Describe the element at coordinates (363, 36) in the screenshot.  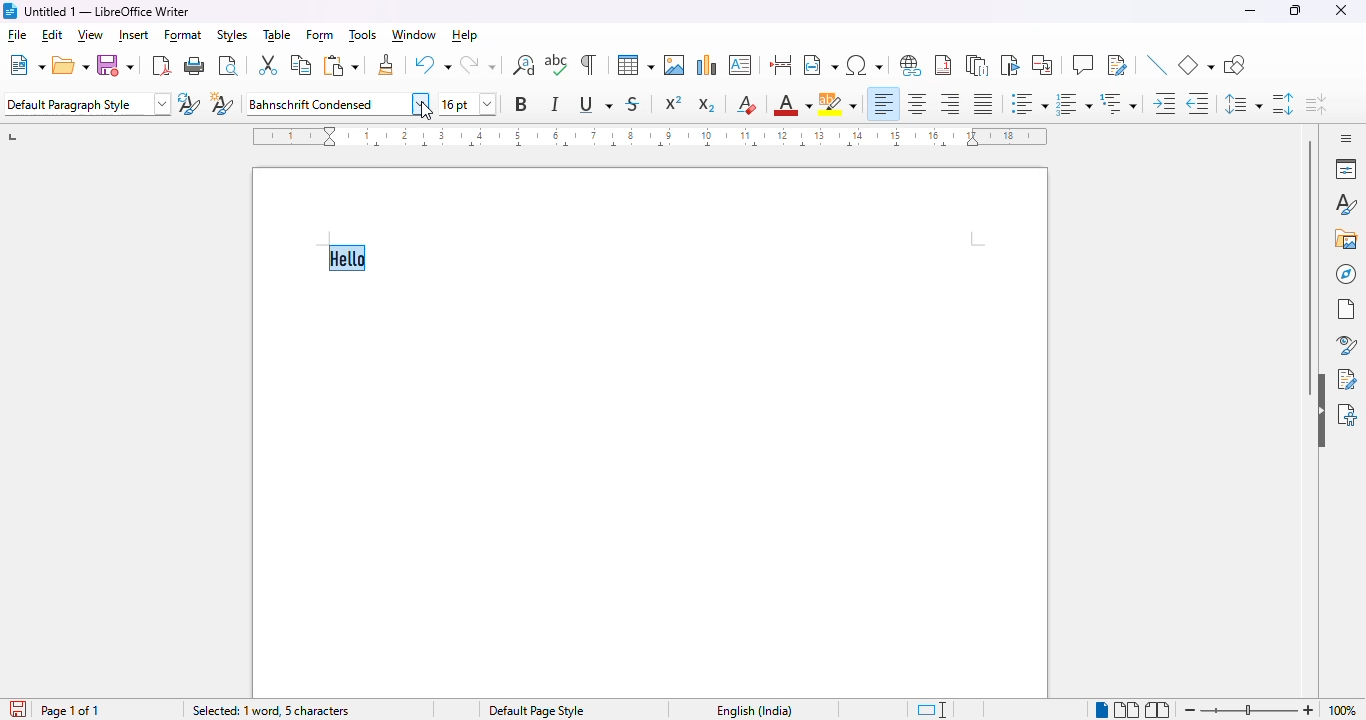
I see `tools` at that location.